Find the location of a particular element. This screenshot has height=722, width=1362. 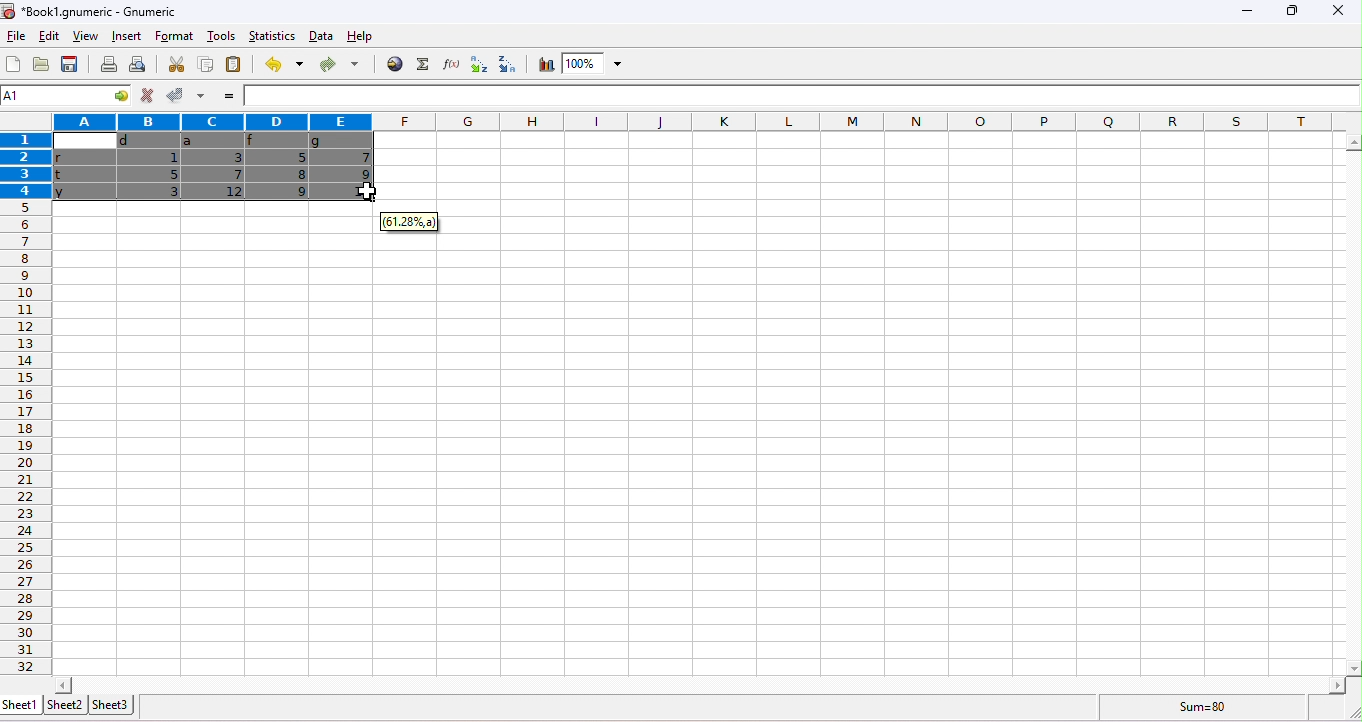

reject is located at coordinates (146, 95).